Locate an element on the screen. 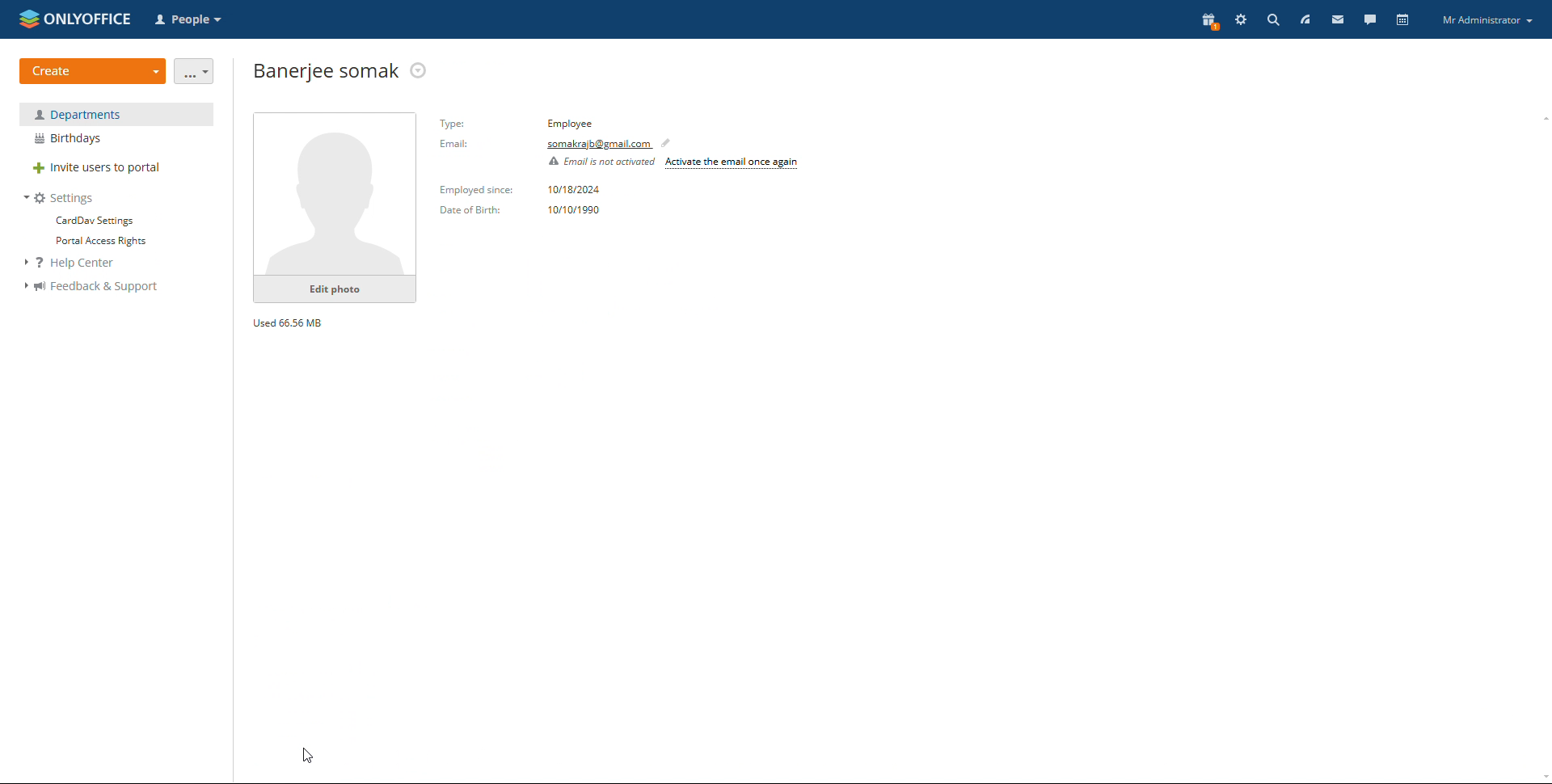  help center is located at coordinates (78, 263).